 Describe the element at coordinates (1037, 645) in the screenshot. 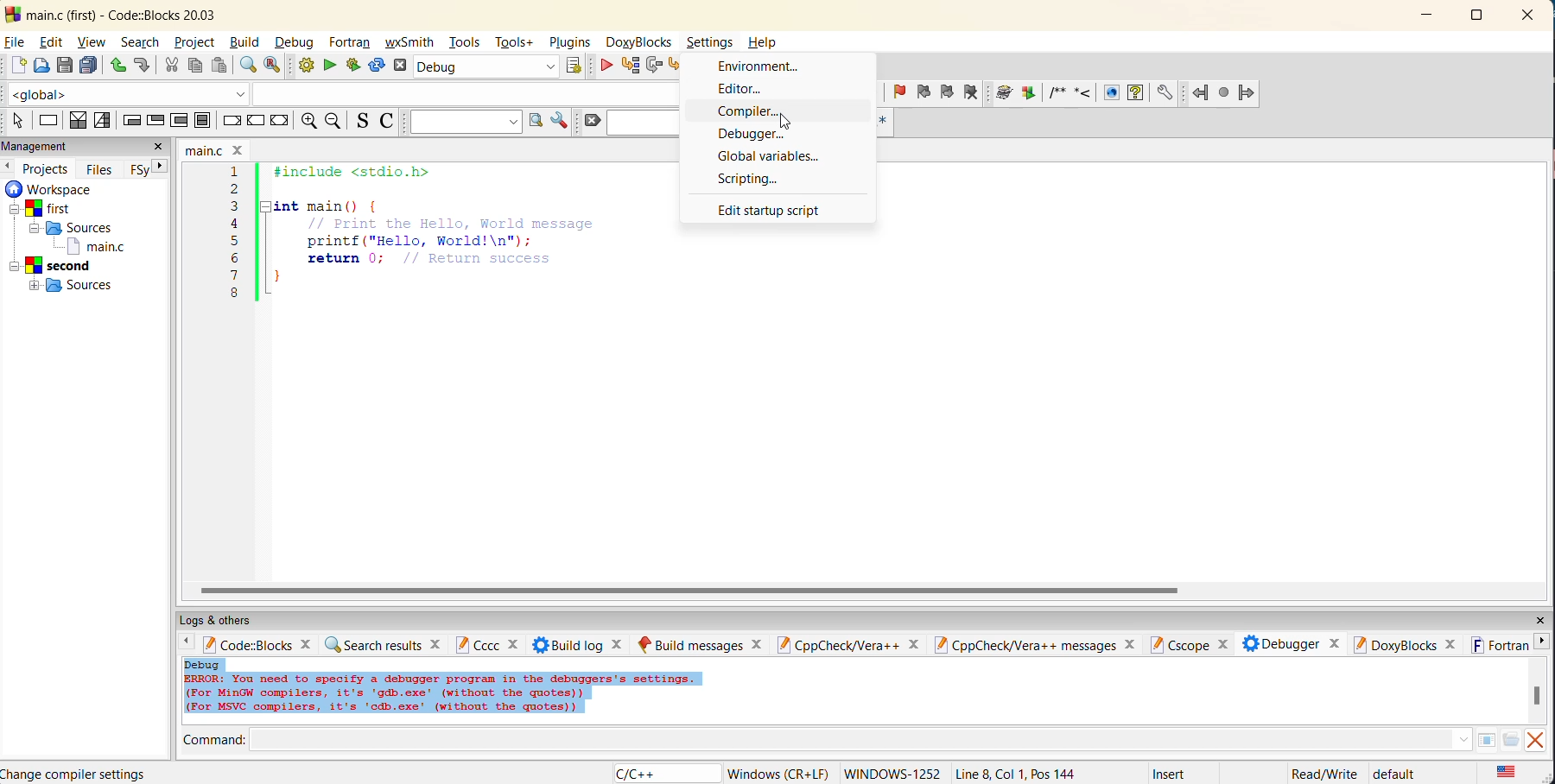

I see `cppcheck/vera++messages` at that location.